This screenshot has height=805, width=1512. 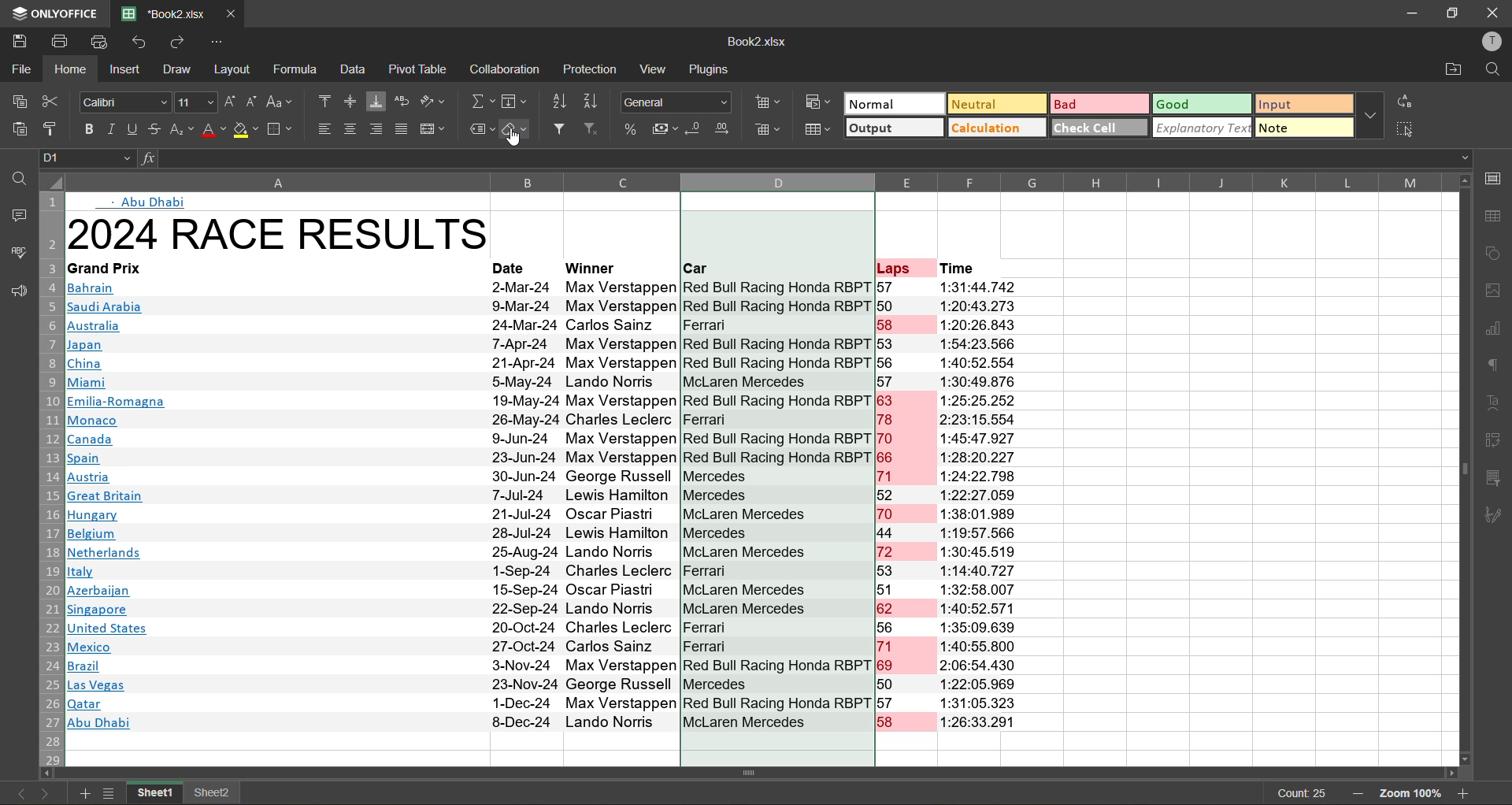 I want to click on |Spain 23-Jun-24 Max Verstappen Red Bull Racing Honda RBPT 66 1:28:20.227, so click(x=543, y=458).